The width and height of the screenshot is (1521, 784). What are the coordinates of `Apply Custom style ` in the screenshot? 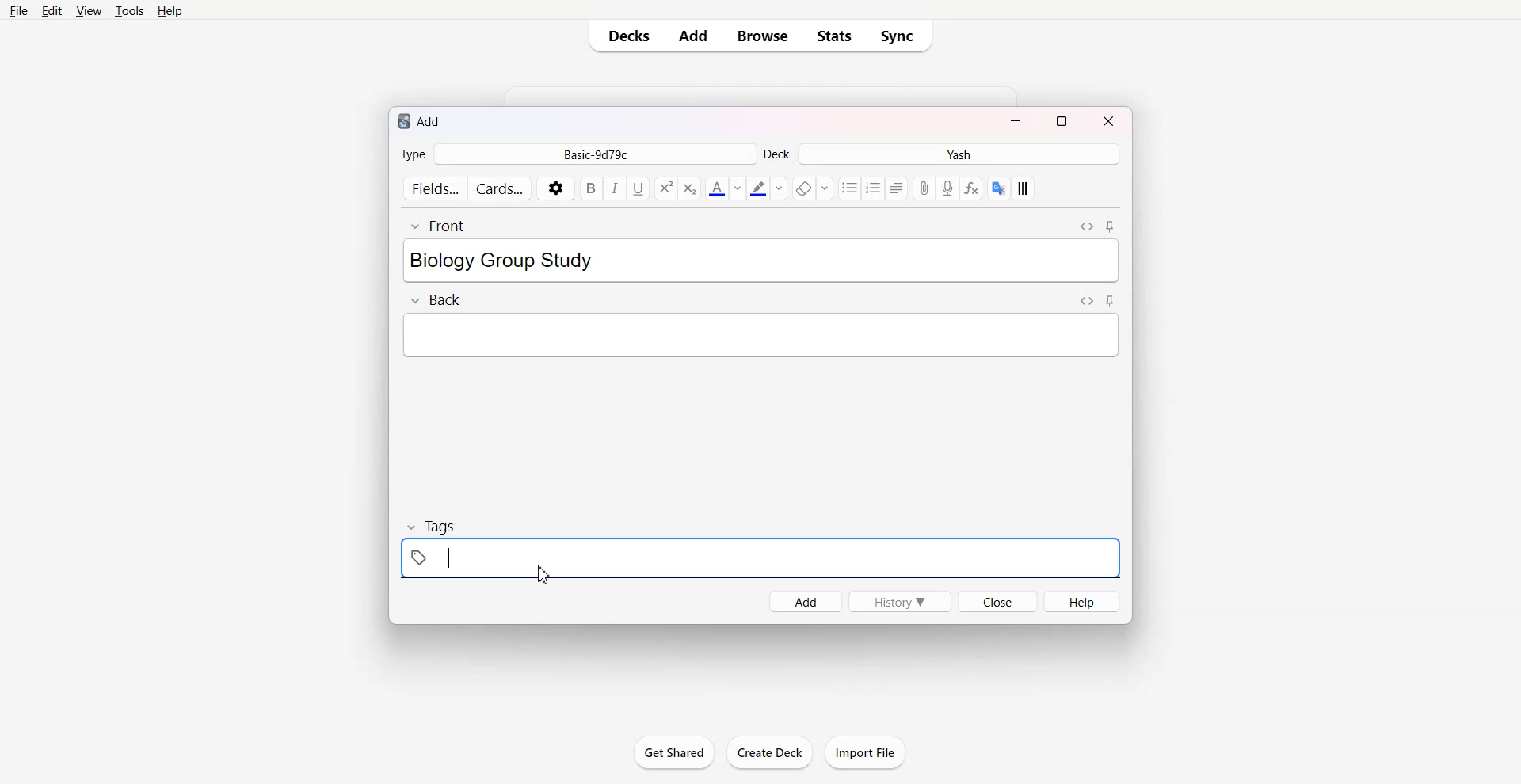 It's located at (1022, 188).